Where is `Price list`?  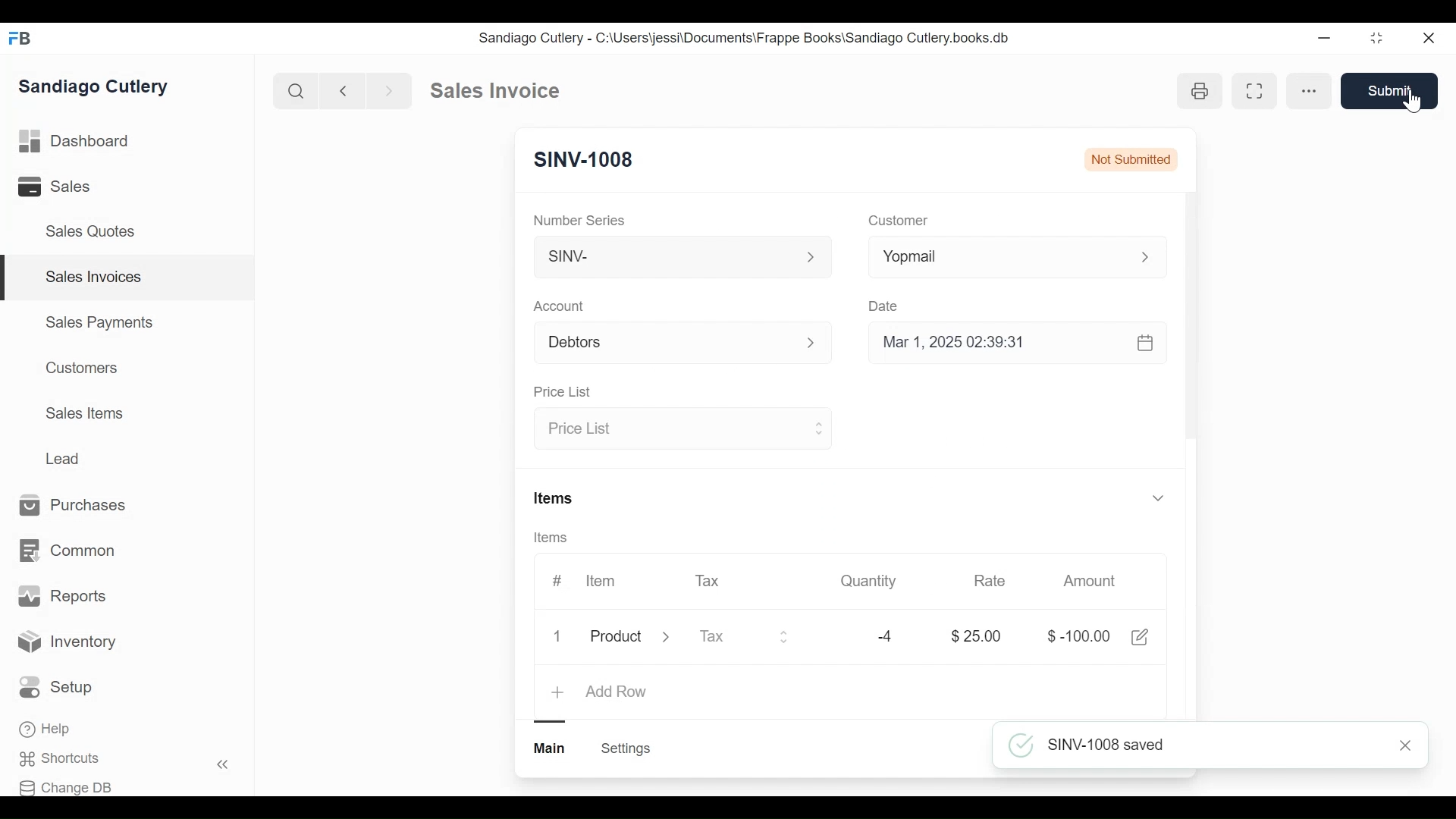
Price list is located at coordinates (686, 426).